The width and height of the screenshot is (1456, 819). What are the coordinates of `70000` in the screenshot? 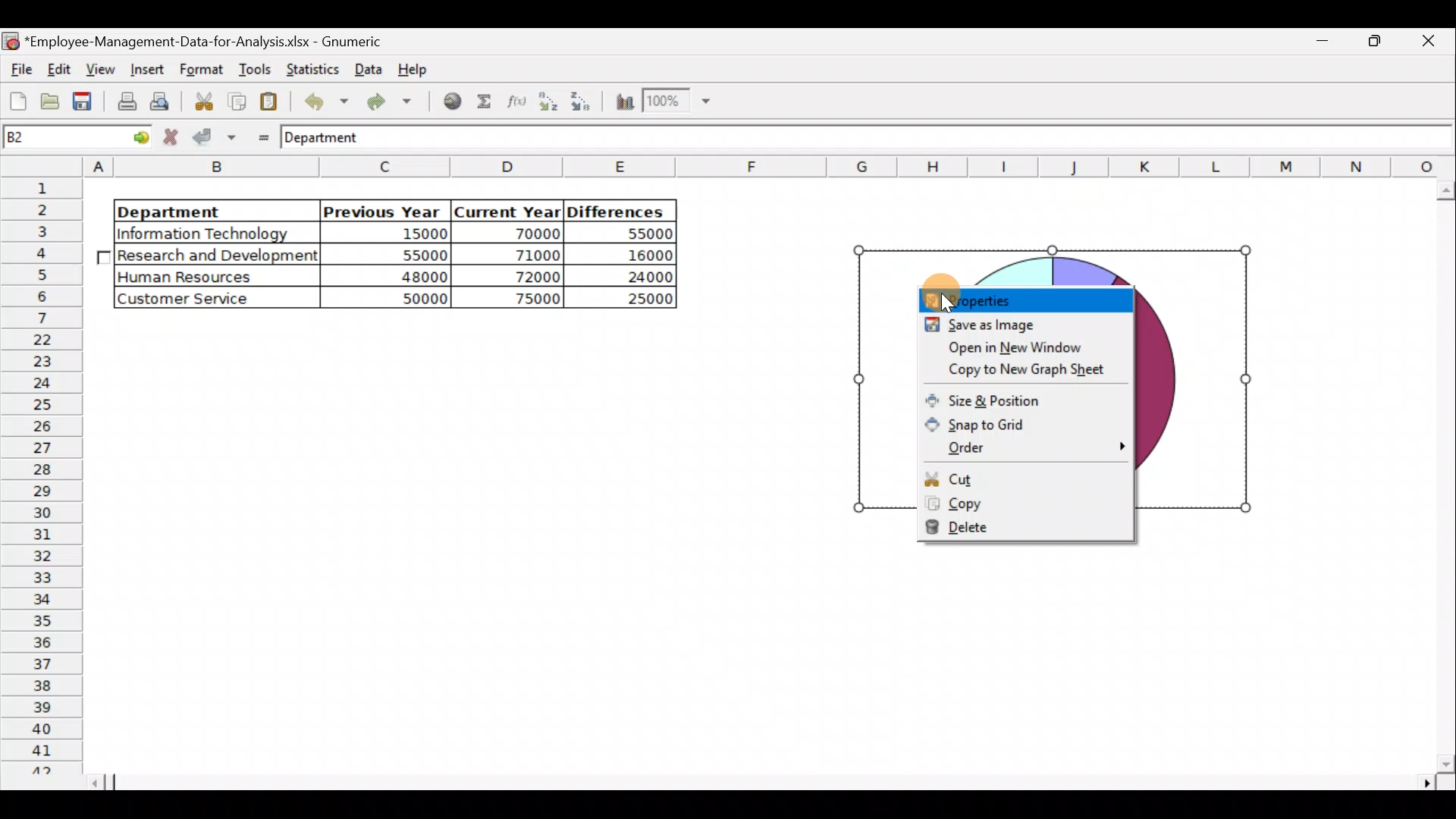 It's located at (523, 233).